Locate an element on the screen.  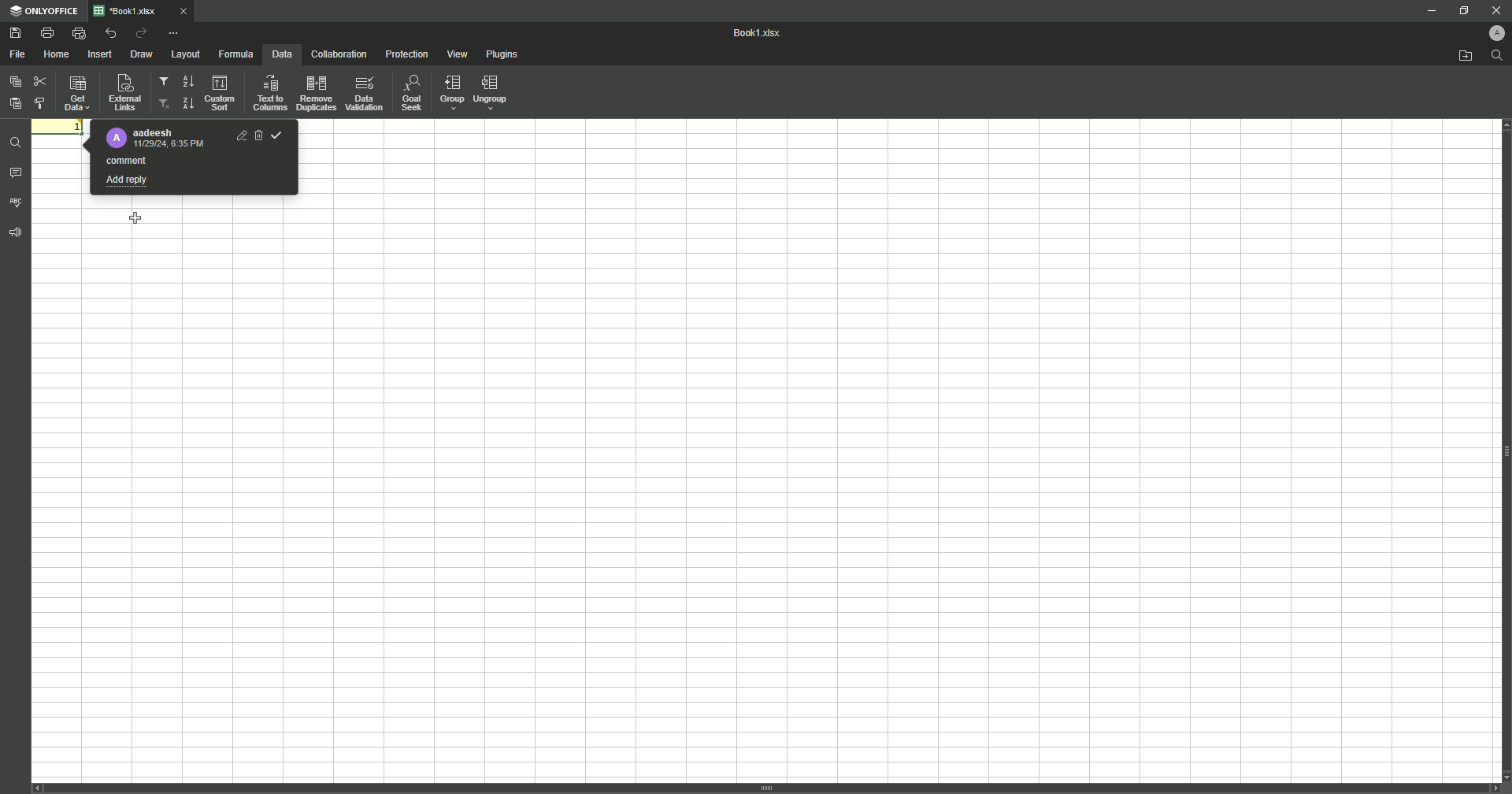
Remove Filter is located at coordinates (165, 104).